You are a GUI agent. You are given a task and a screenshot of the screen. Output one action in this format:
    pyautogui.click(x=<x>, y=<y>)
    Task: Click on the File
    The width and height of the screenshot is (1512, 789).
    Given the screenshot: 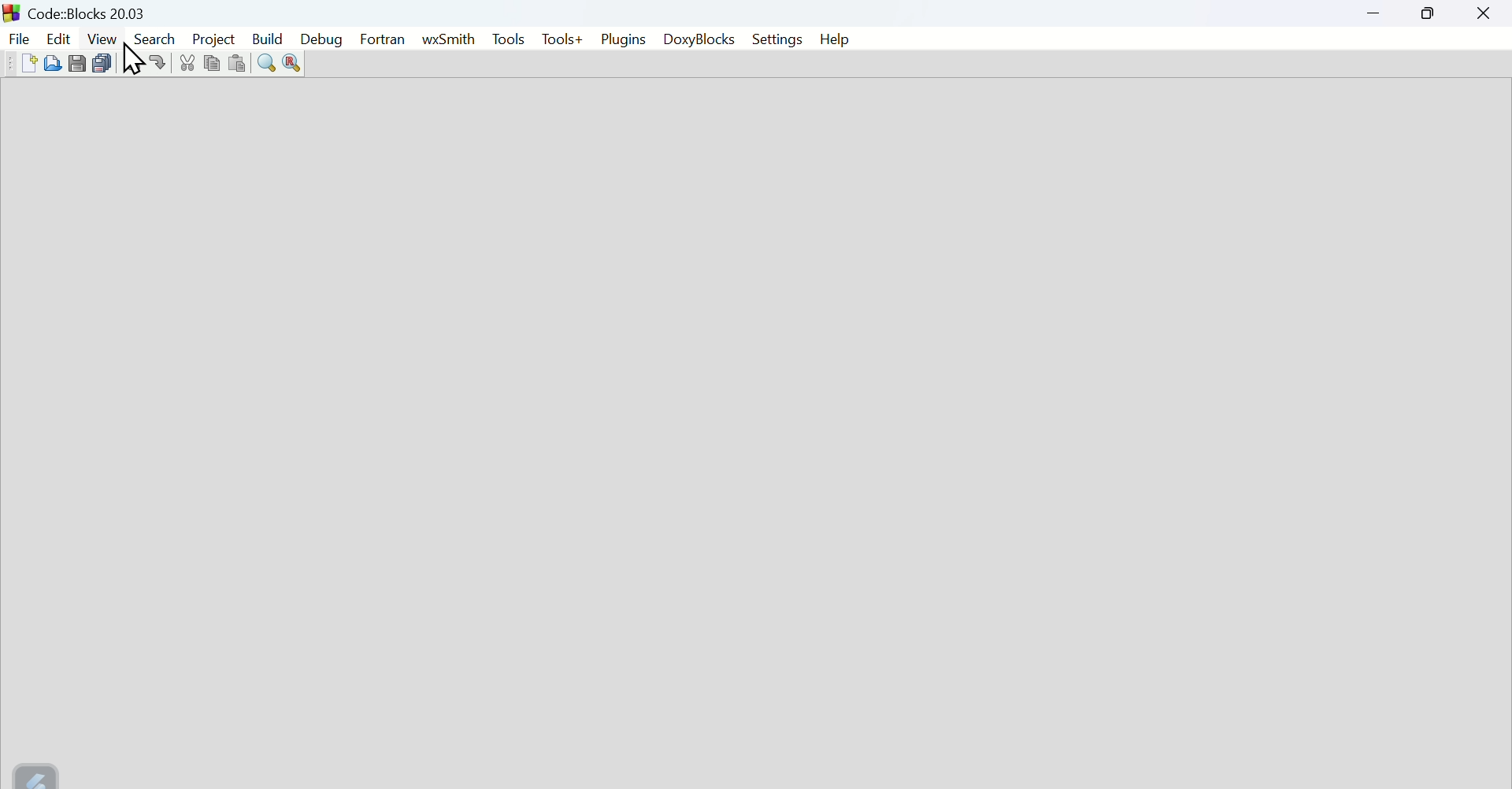 What is the action you would take?
    pyautogui.click(x=18, y=39)
    